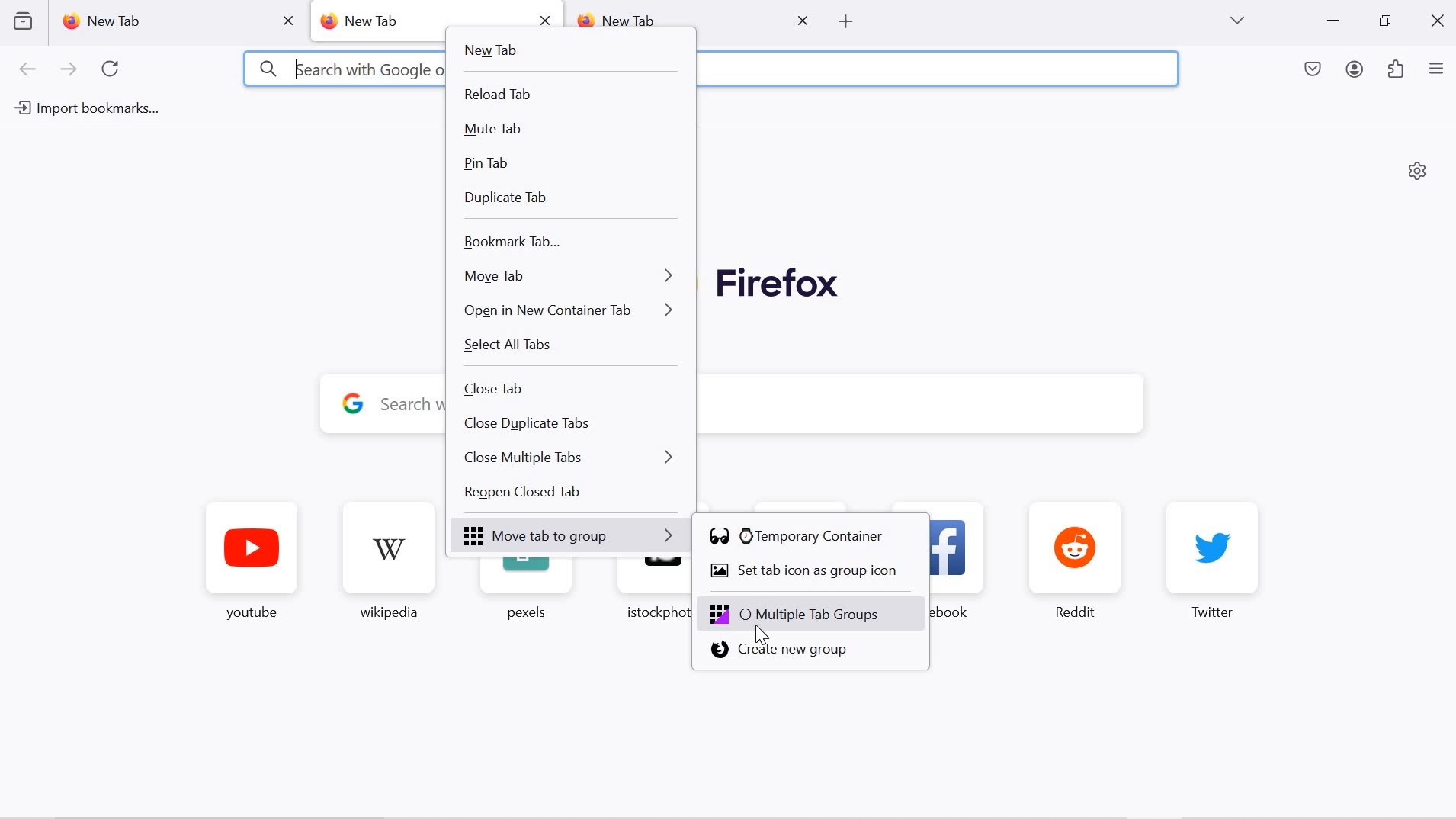 The image size is (1456, 819). I want to click on close, so click(1440, 19).